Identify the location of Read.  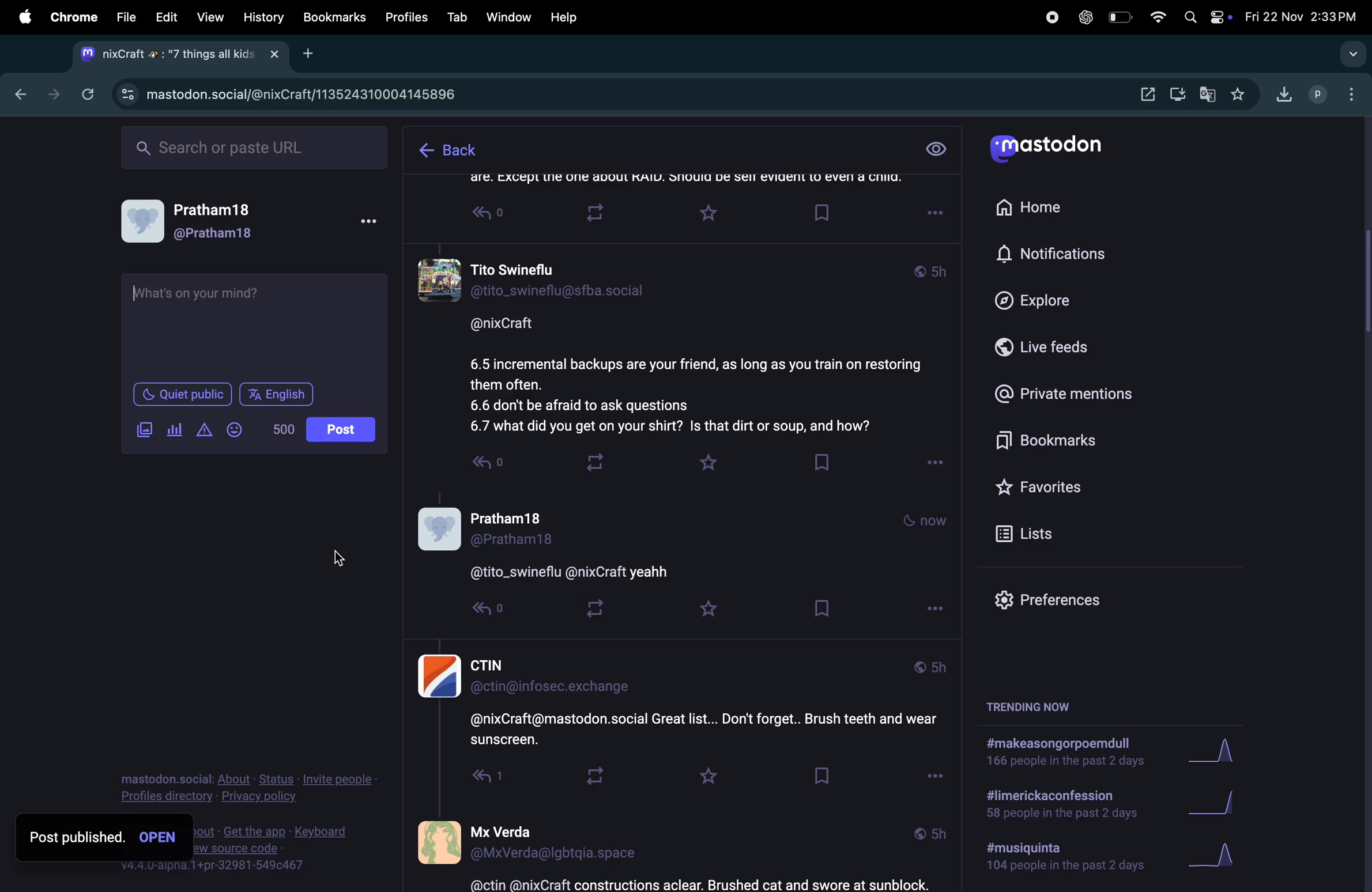
(485, 607).